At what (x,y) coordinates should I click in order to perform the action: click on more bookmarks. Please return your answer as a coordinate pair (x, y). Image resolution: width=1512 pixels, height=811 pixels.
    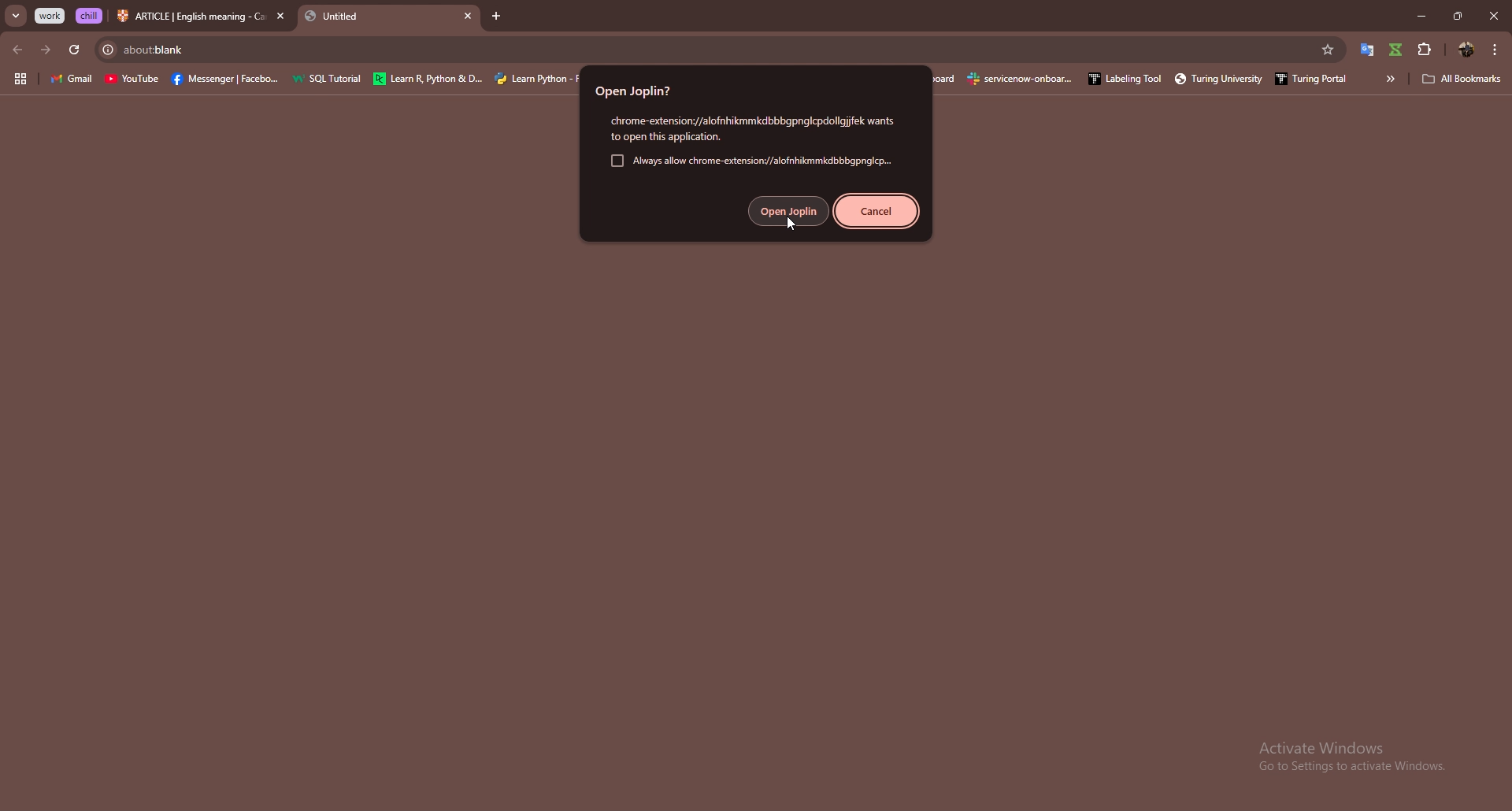
    Looking at the image, I should click on (1389, 79).